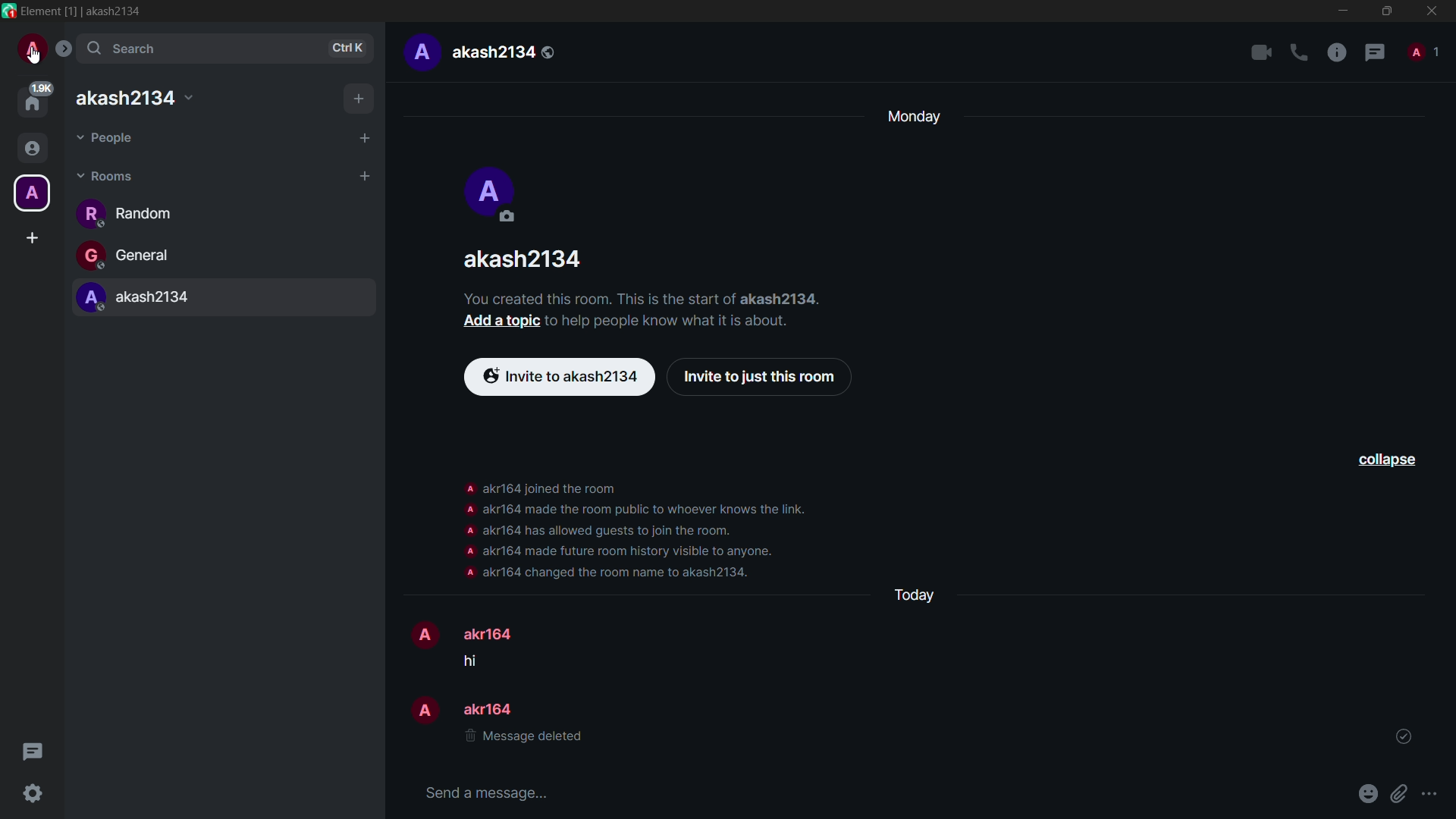  I want to click on people, so click(1422, 50).